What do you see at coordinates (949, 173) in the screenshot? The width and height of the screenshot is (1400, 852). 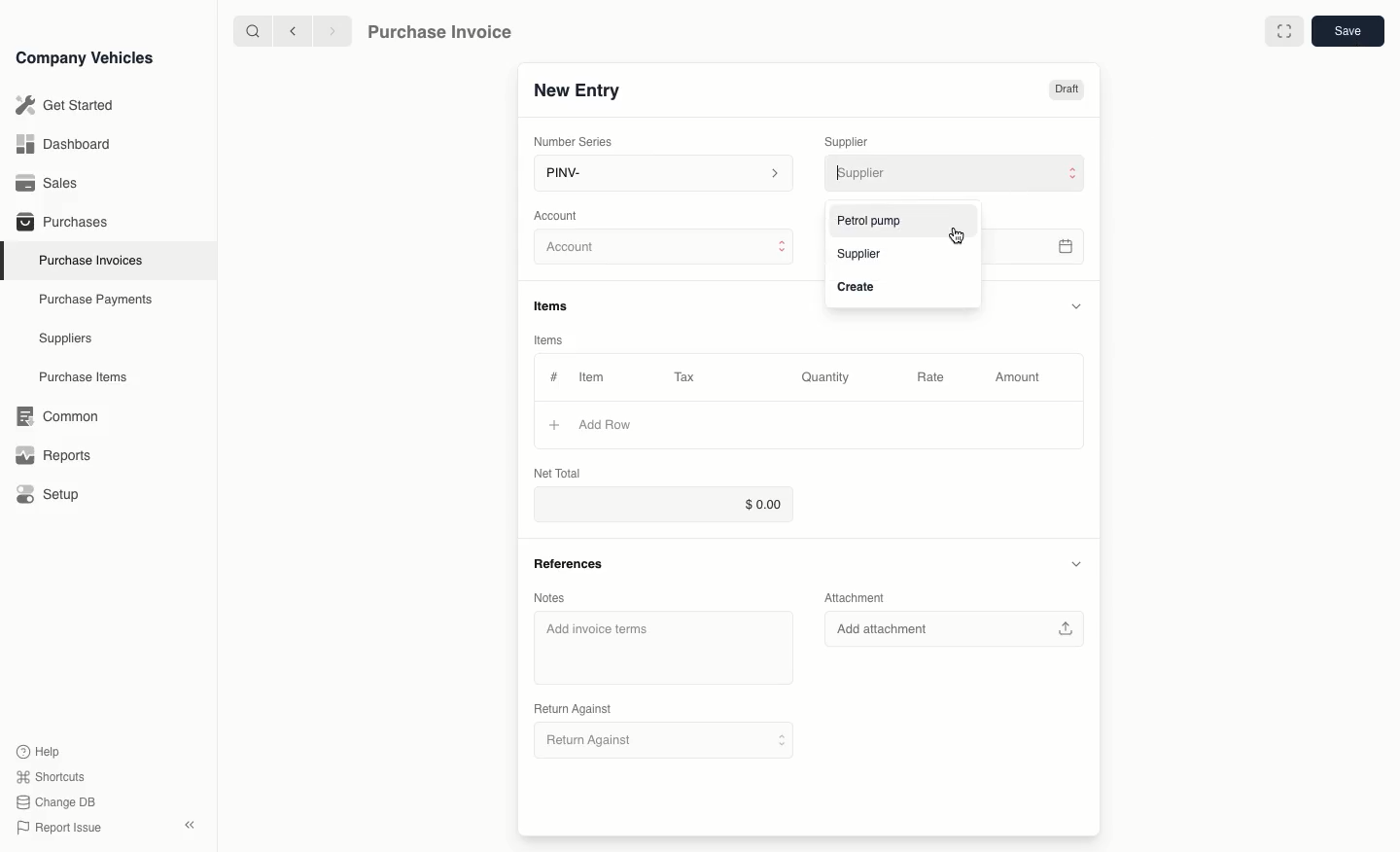 I see `Supplier` at bounding box center [949, 173].